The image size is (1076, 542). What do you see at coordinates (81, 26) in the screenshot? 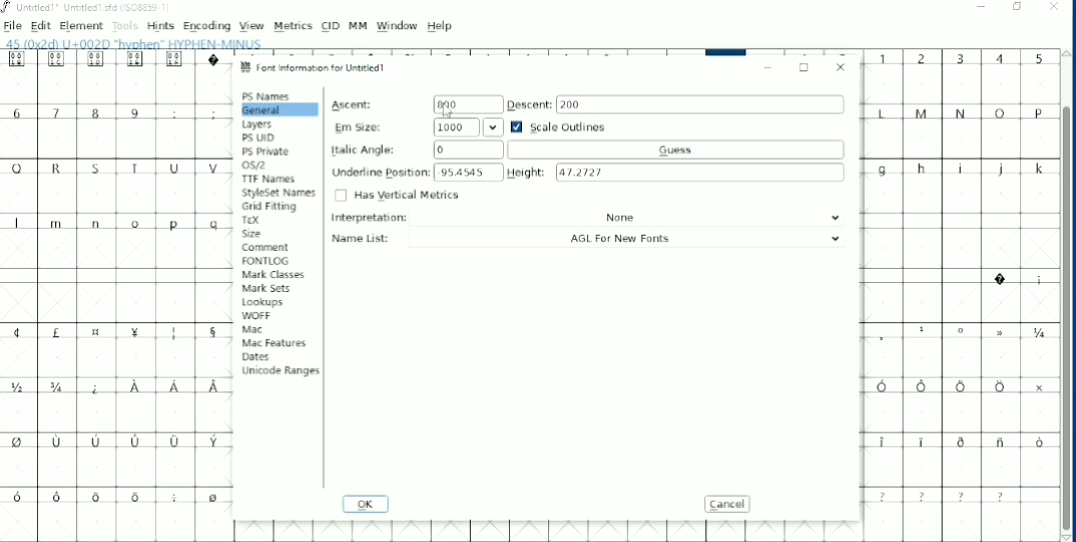
I see `Element` at bounding box center [81, 26].